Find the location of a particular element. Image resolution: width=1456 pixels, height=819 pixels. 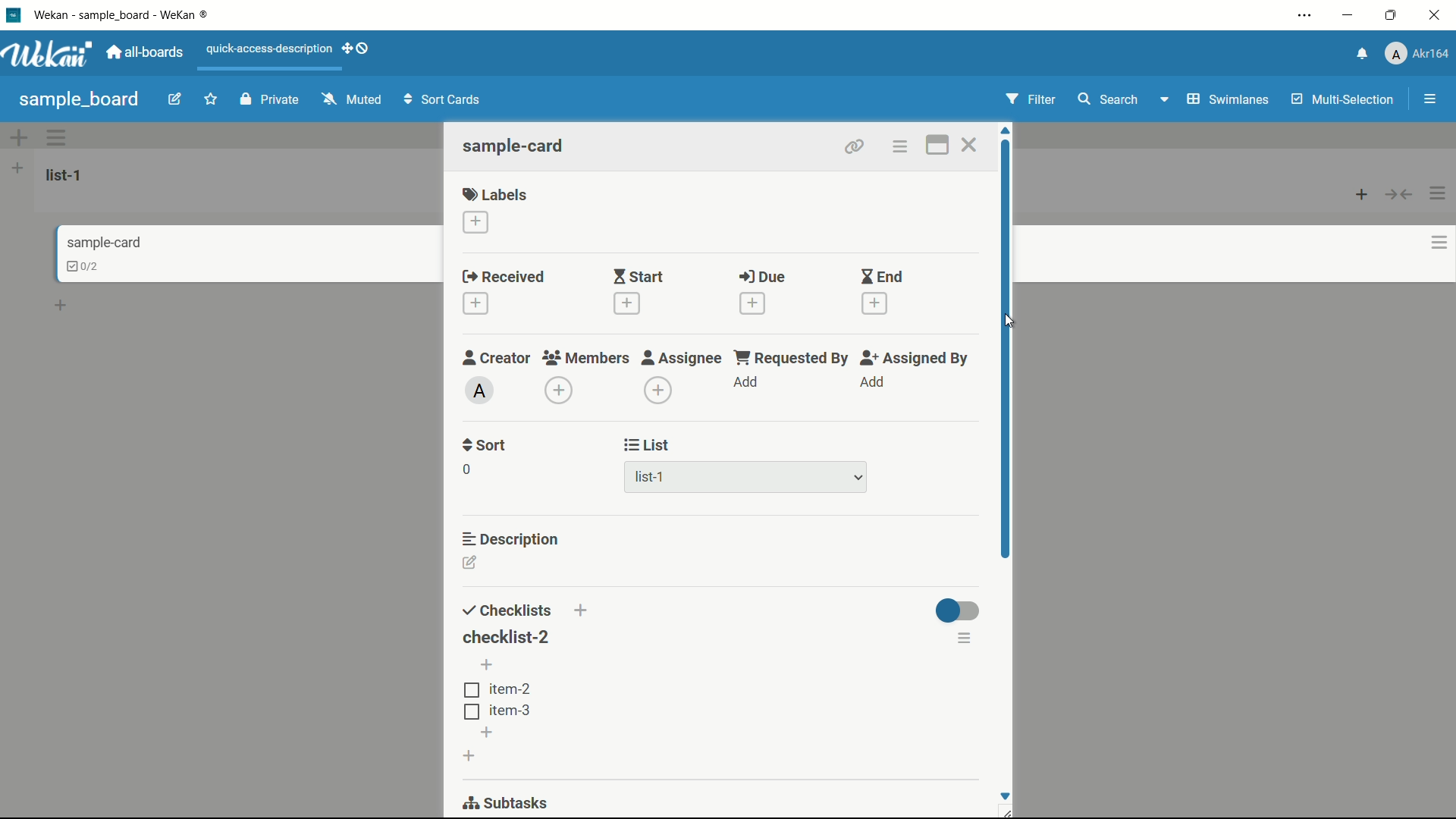

search is located at coordinates (1109, 99).